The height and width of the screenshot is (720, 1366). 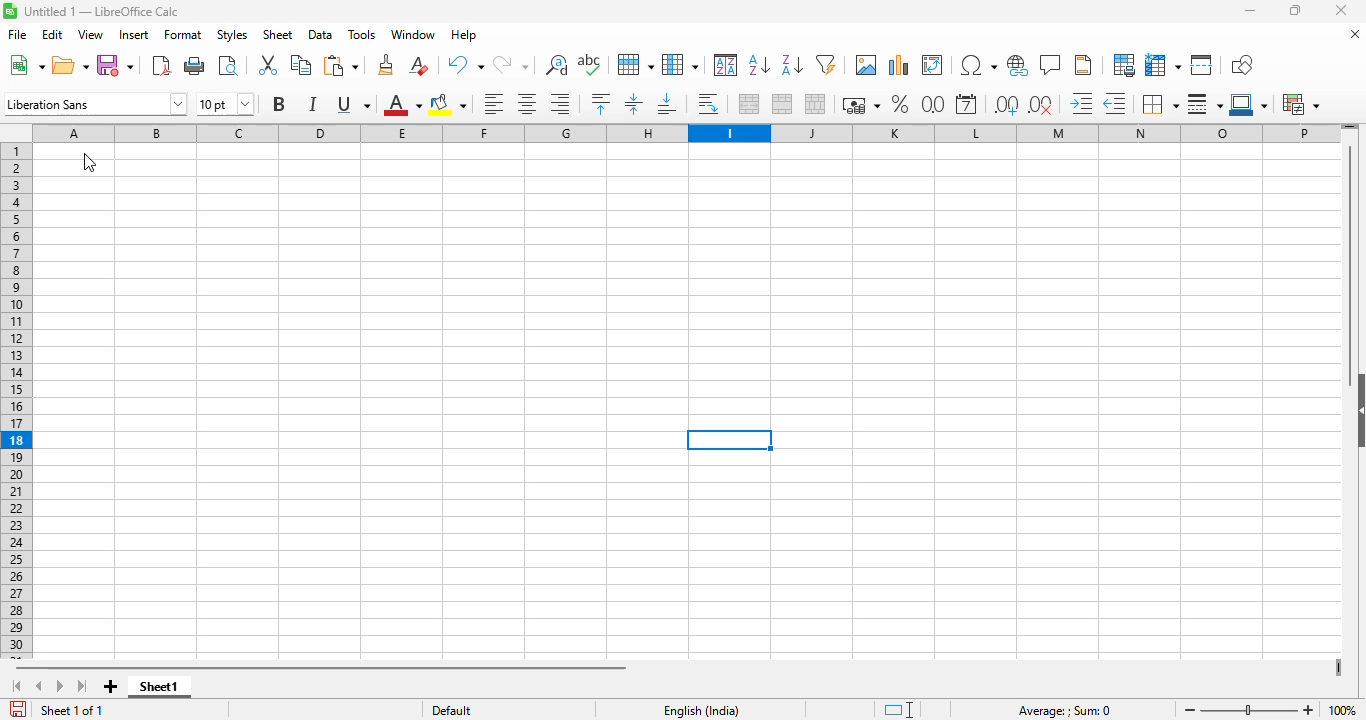 What do you see at coordinates (111, 686) in the screenshot?
I see `add new sheet` at bounding box center [111, 686].